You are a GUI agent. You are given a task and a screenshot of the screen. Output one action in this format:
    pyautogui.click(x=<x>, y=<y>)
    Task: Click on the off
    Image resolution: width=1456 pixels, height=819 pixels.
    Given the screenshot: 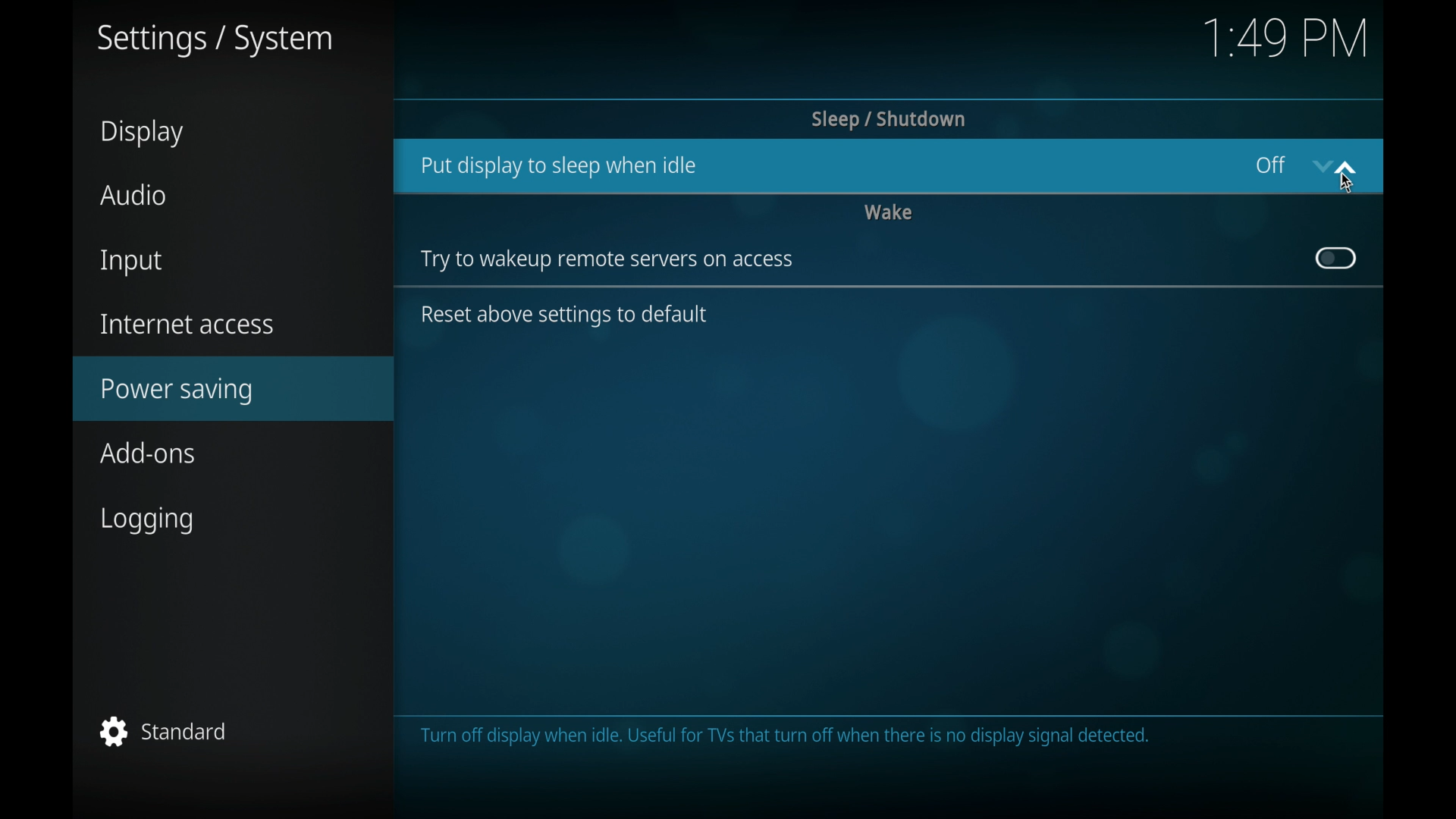 What is the action you would take?
    pyautogui.click(x=1269, y=164)
    